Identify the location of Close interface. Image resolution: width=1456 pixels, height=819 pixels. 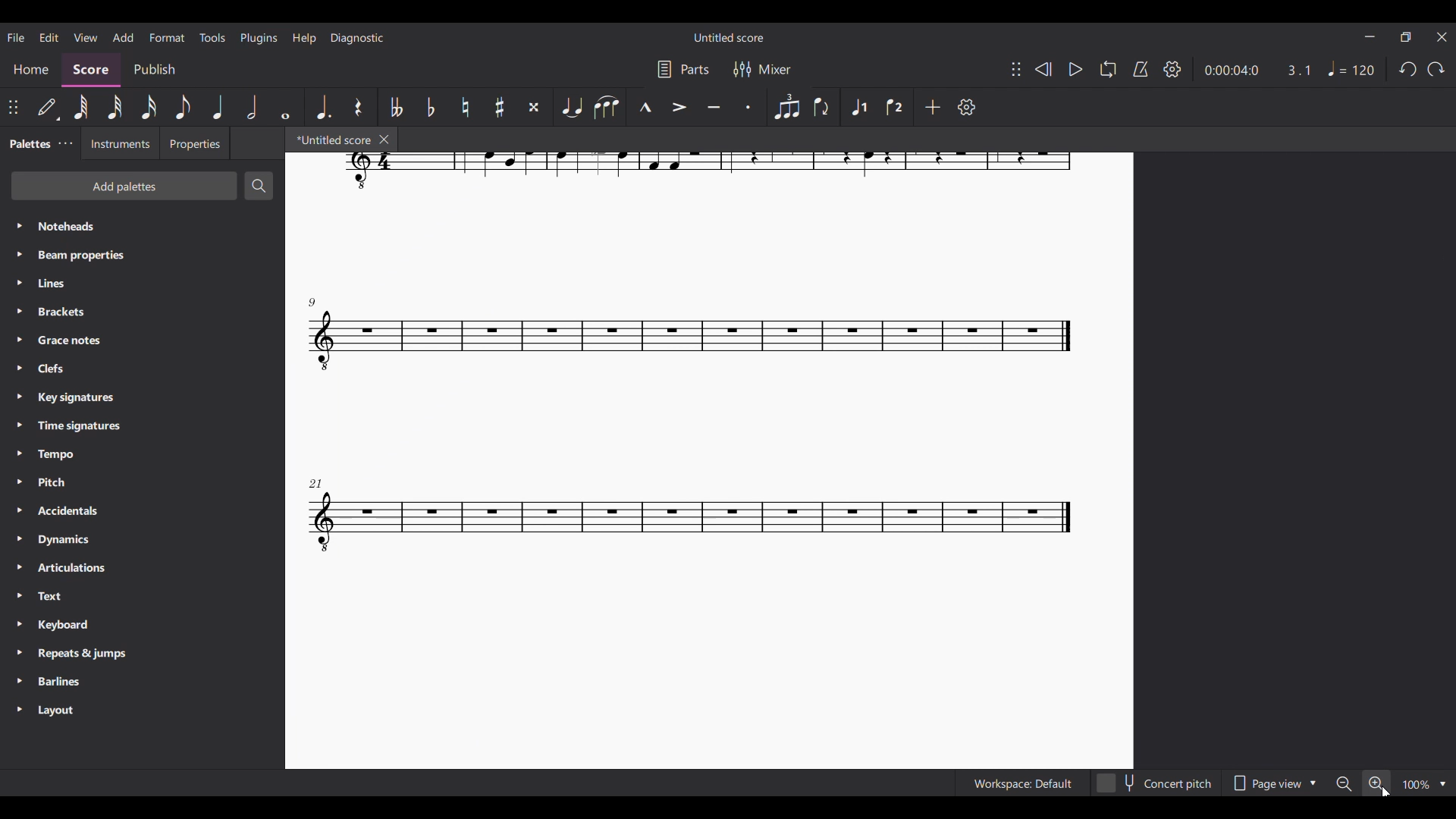
(1442, 37).